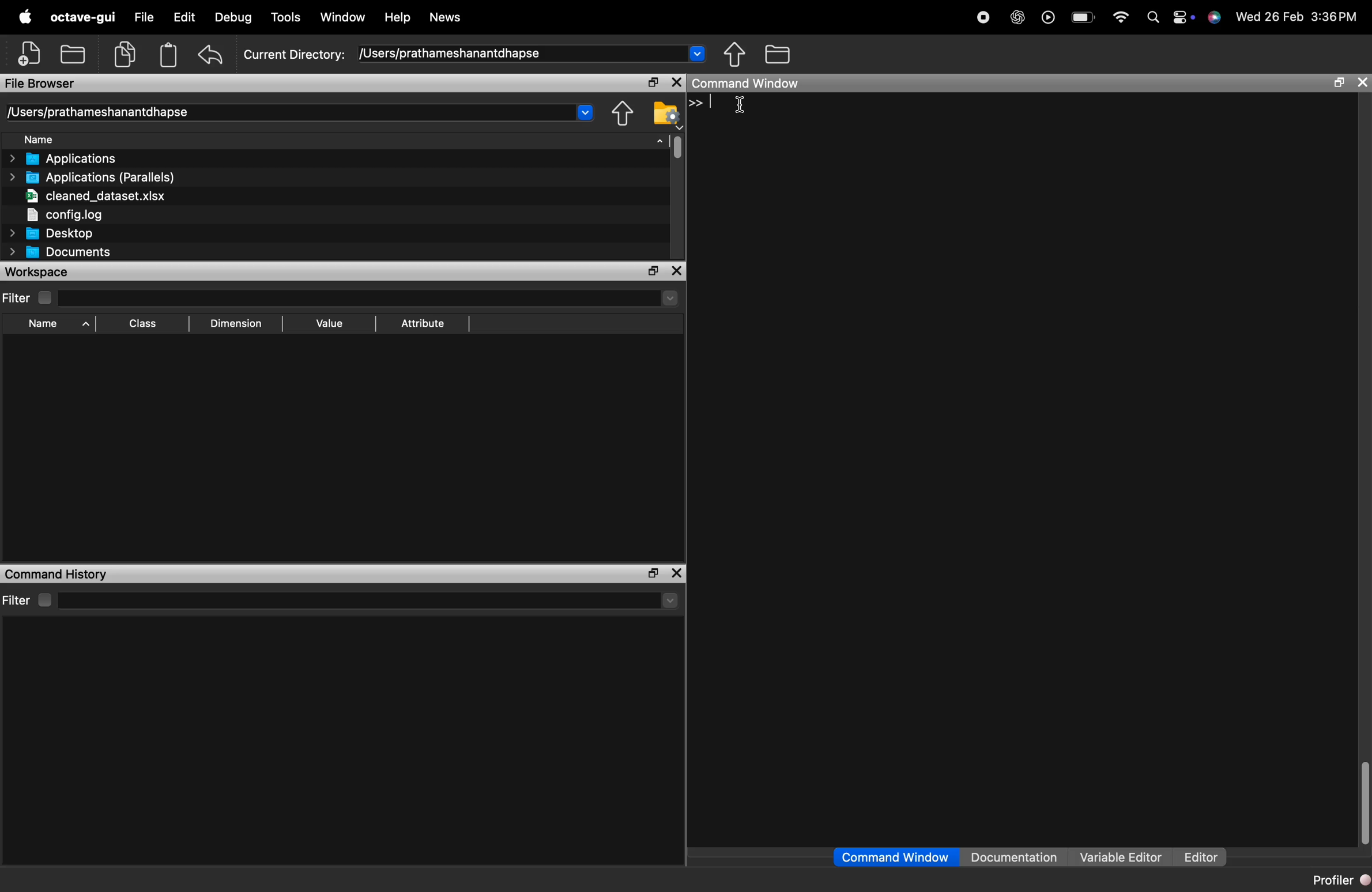 Image resolution: width=1372 pixels, height=892 pixels. What do you see at coordinates (1011, 857) in the screenshot?
I see `Documentation` at bounding box center [1011, 857].